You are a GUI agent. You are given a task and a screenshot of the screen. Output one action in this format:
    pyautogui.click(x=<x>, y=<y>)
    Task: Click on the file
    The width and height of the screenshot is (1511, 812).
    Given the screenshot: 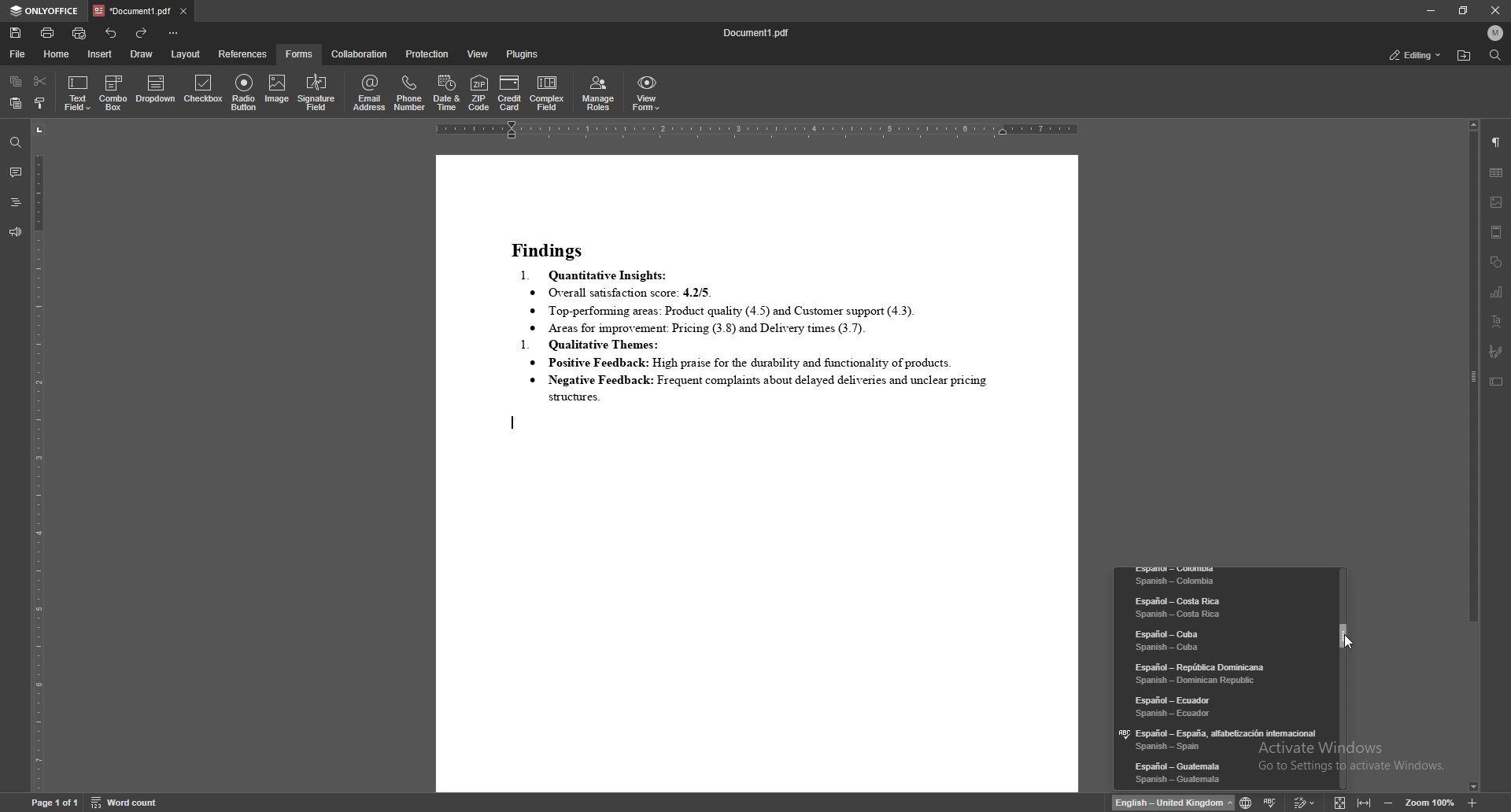 What is the action you would take?
    pyautogui.click(x=18, y=54)
    